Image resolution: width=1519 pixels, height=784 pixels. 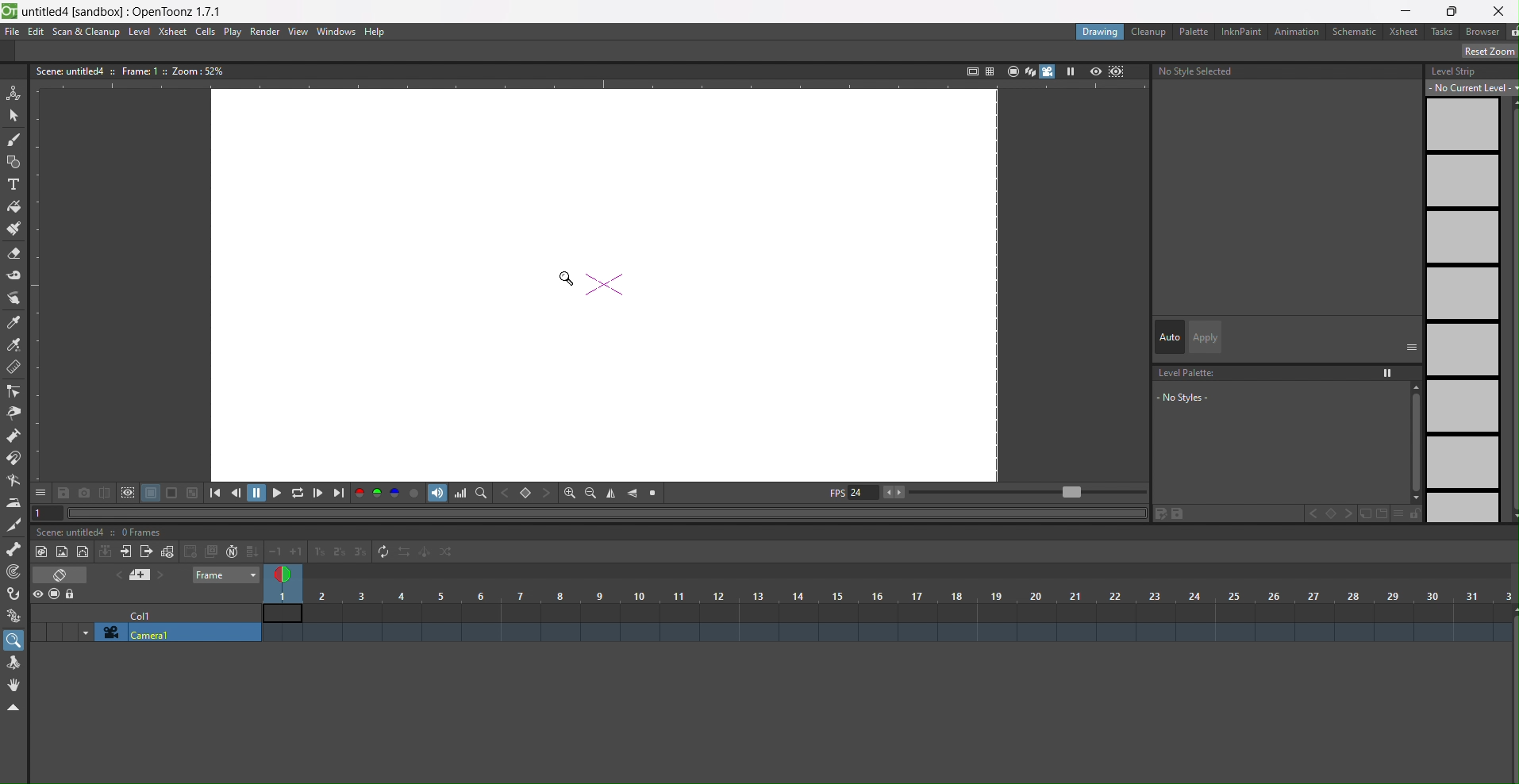 I want to click on set key, so click(x=526, y=492).